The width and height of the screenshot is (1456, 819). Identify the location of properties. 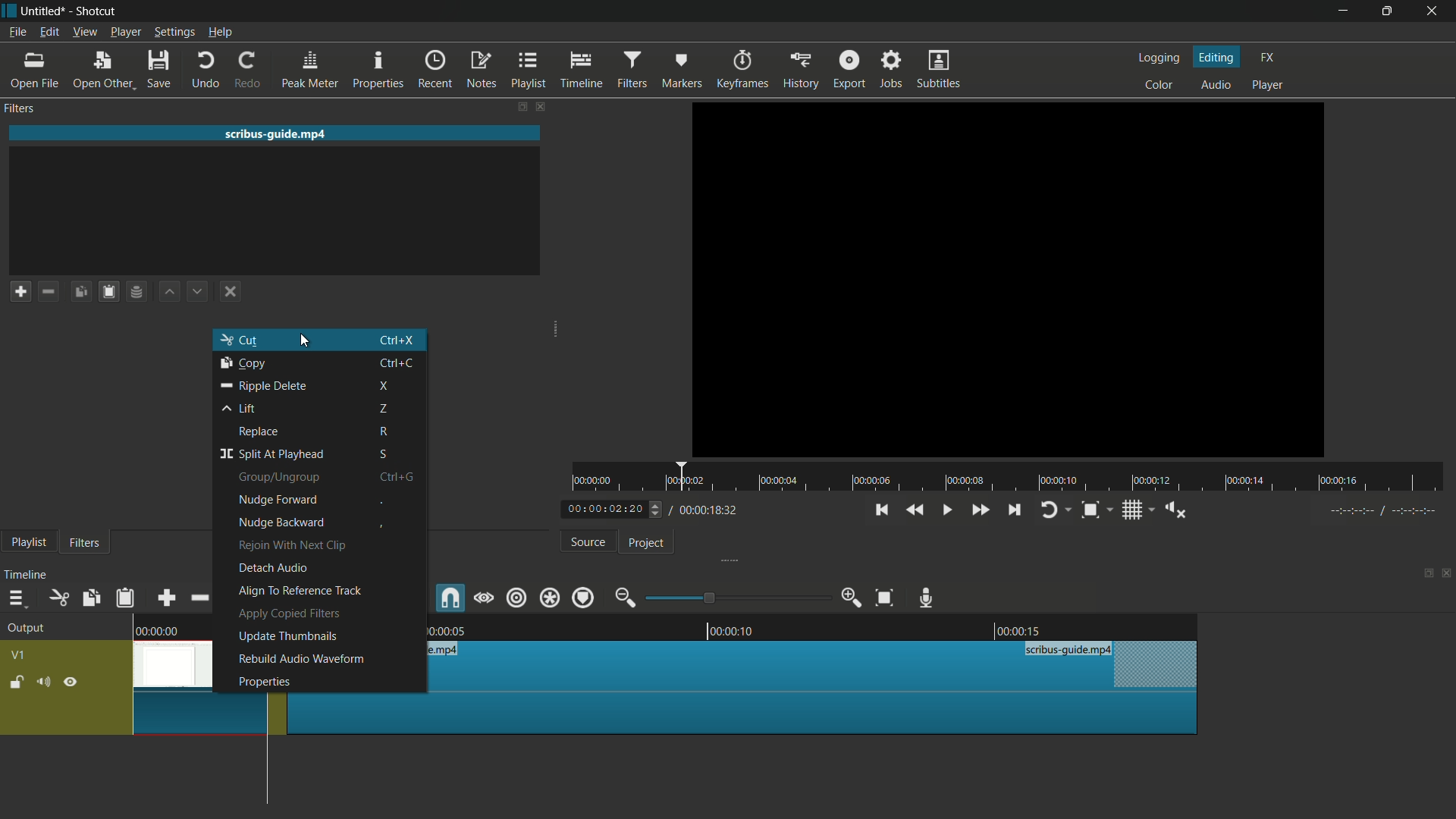
(264, 682).